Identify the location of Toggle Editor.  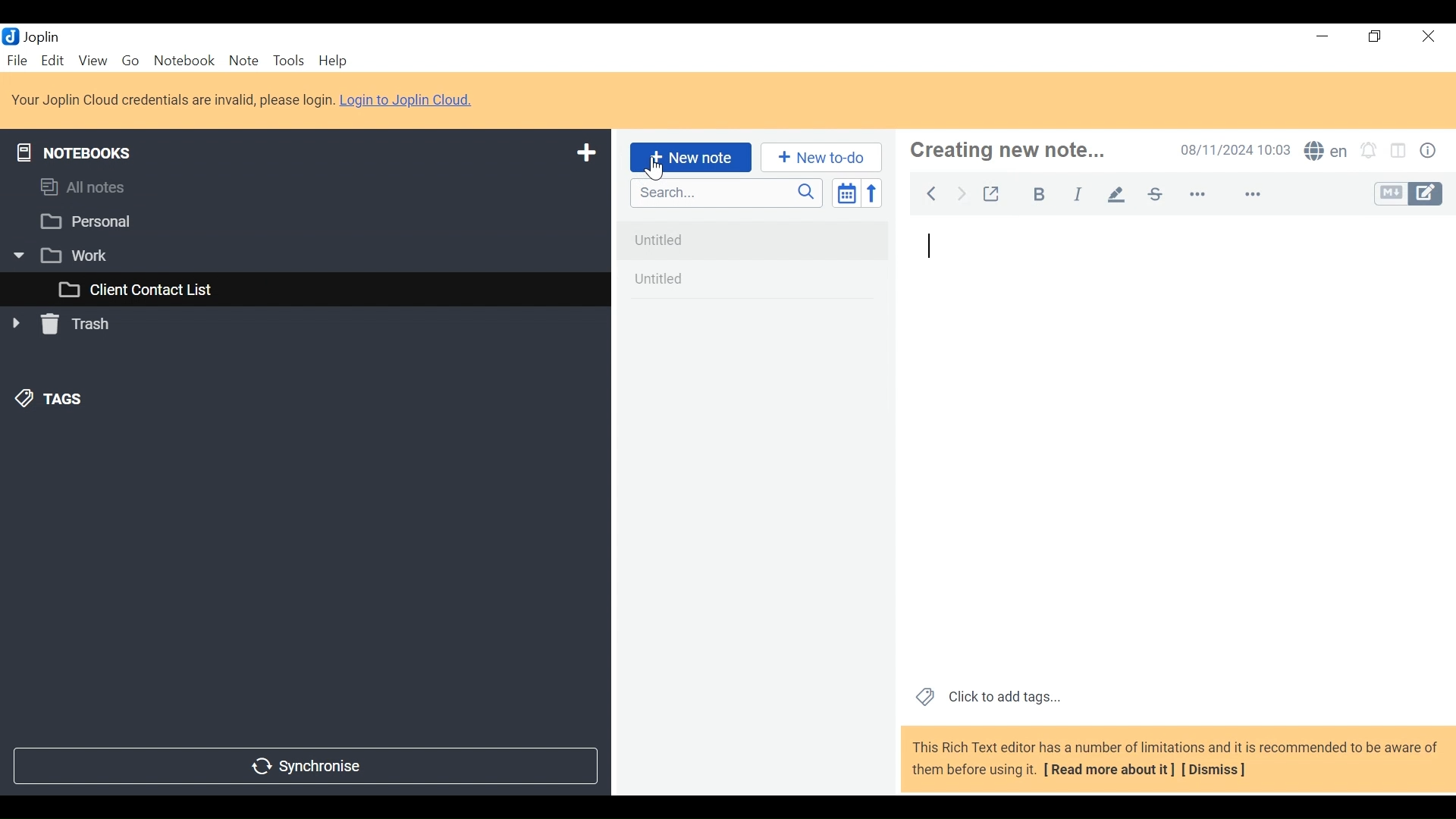
(1409, 193).